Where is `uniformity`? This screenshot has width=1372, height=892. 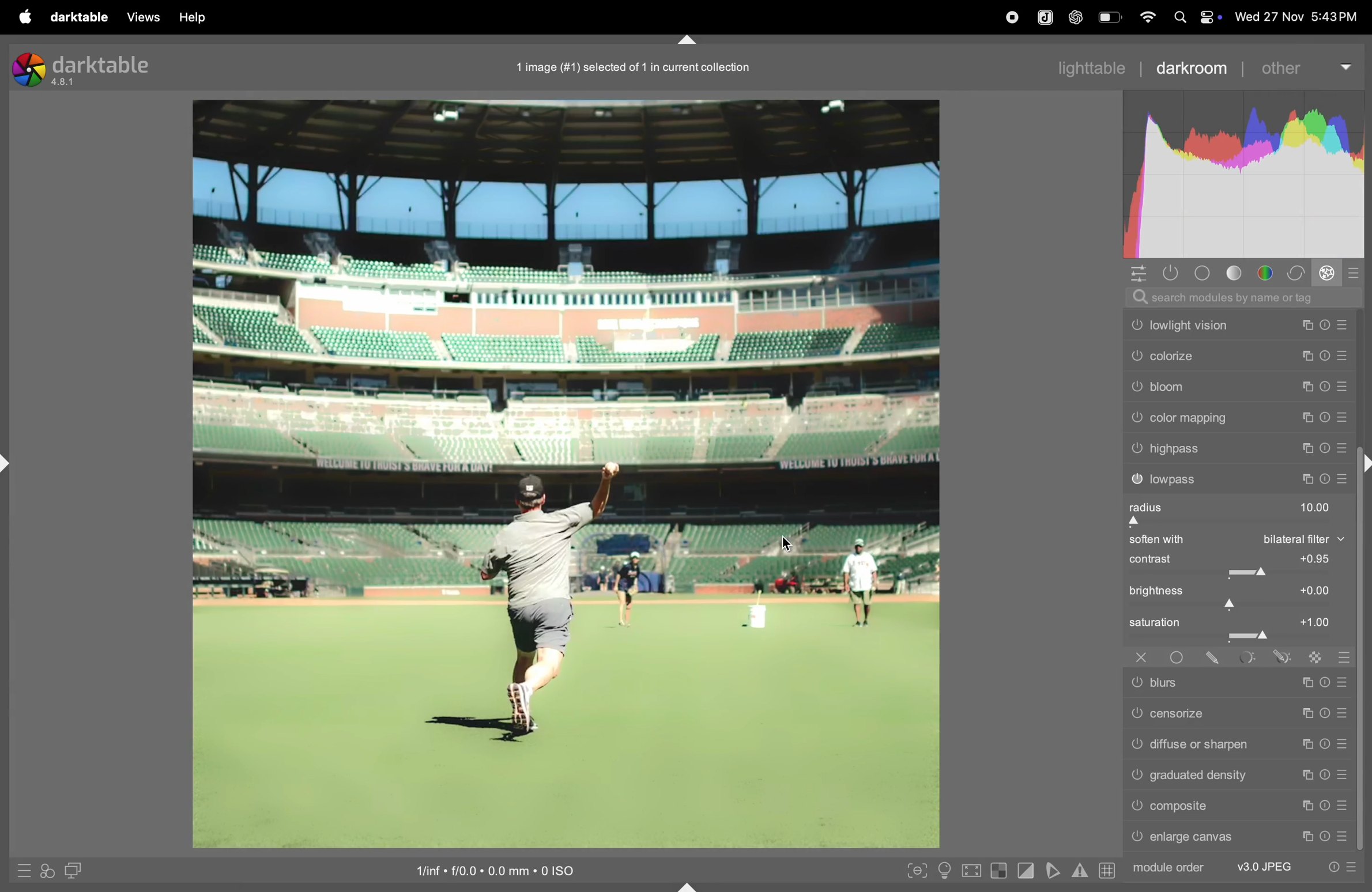 uniformity is located at coordinates (1179, 658).